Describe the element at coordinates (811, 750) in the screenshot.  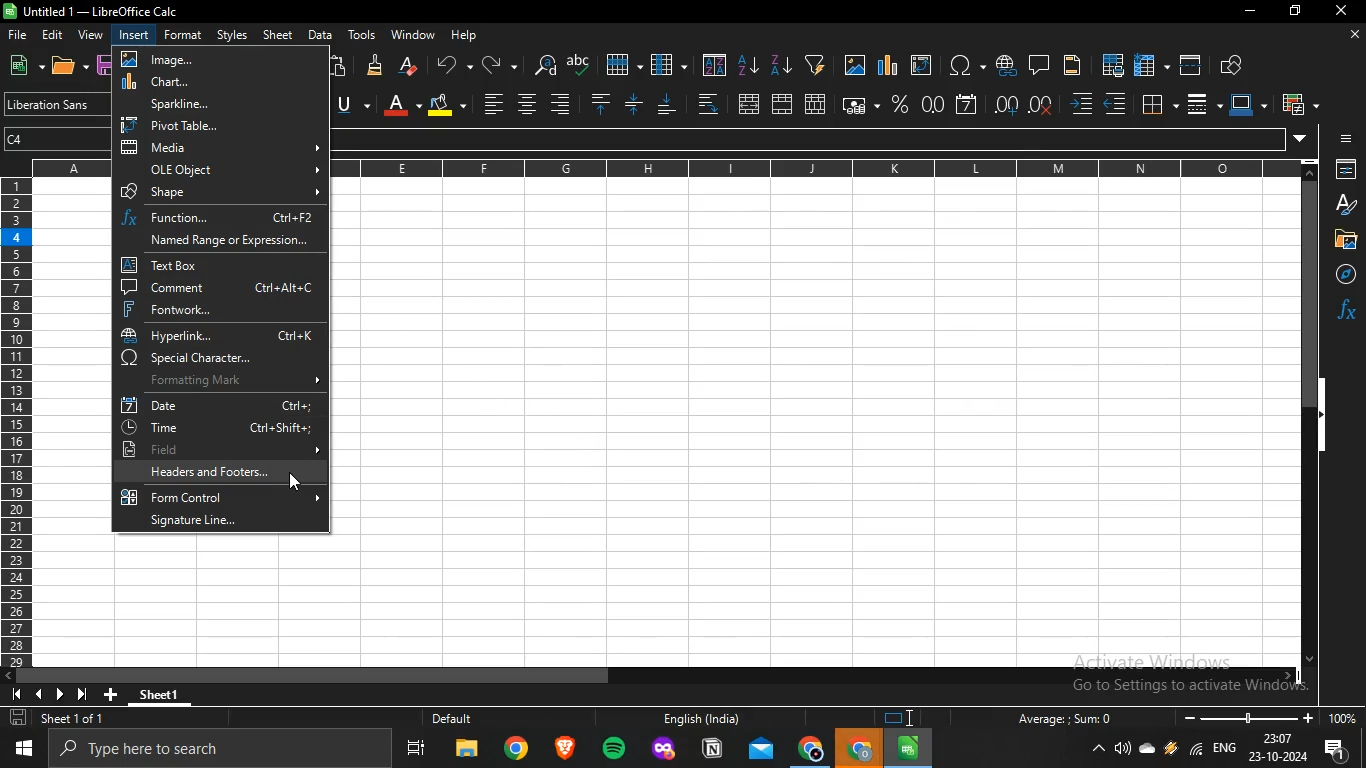
I see `google chrome` at that location.